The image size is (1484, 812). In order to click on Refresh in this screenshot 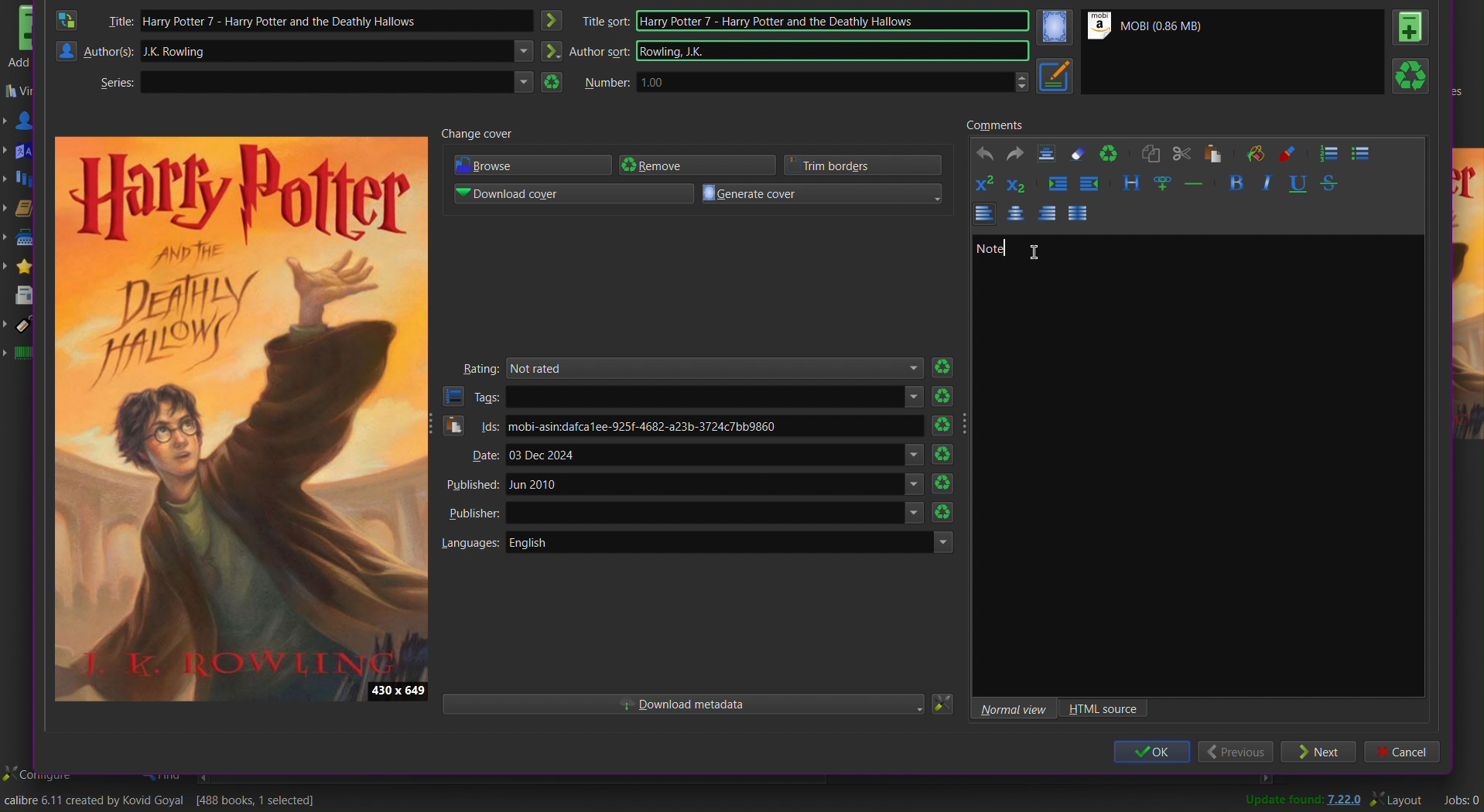, I will do `click(1110, 152)`.